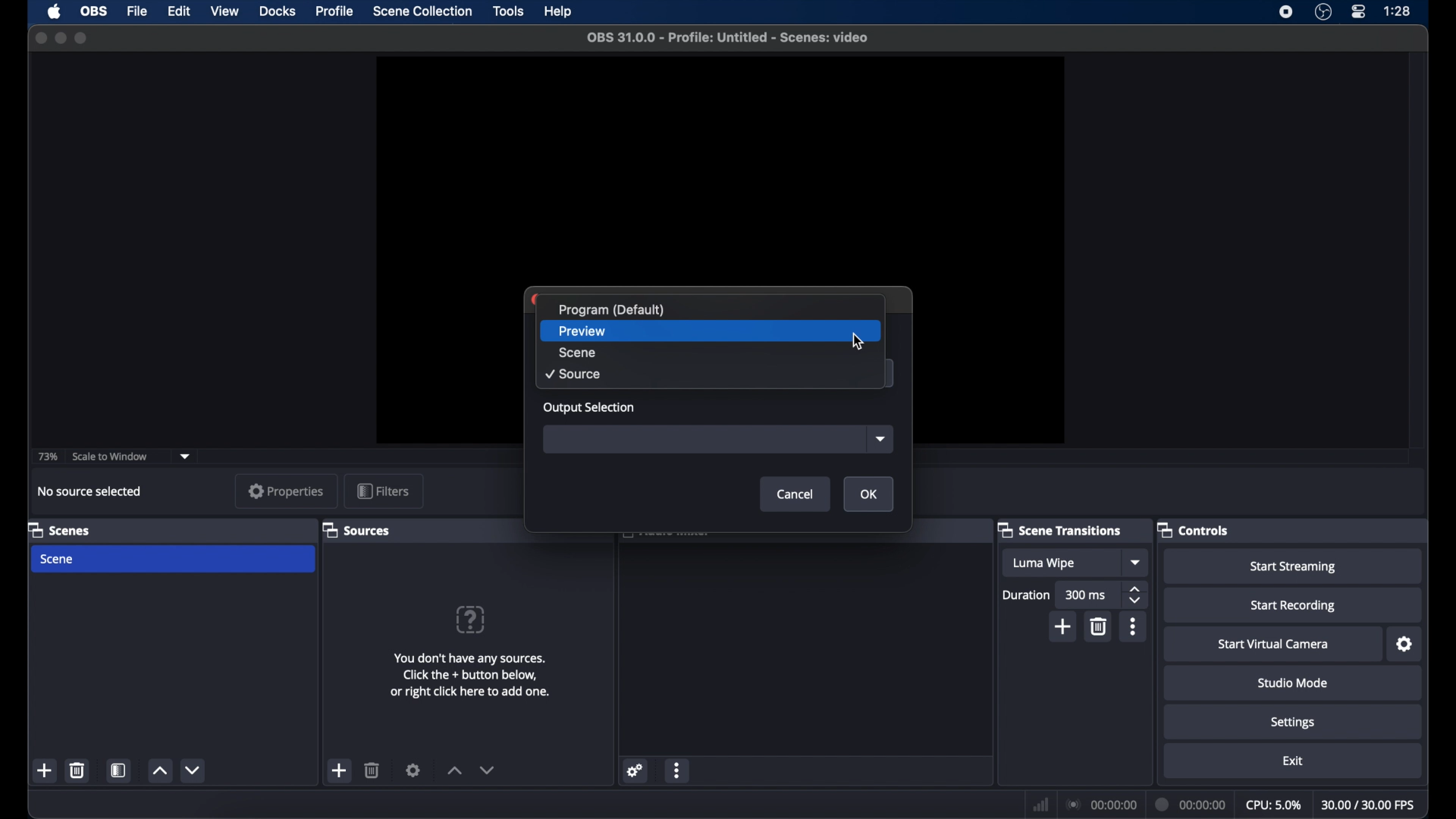  Describe the element at coordinates (1369, 805) in the screenshot. I see `fps` at that location.